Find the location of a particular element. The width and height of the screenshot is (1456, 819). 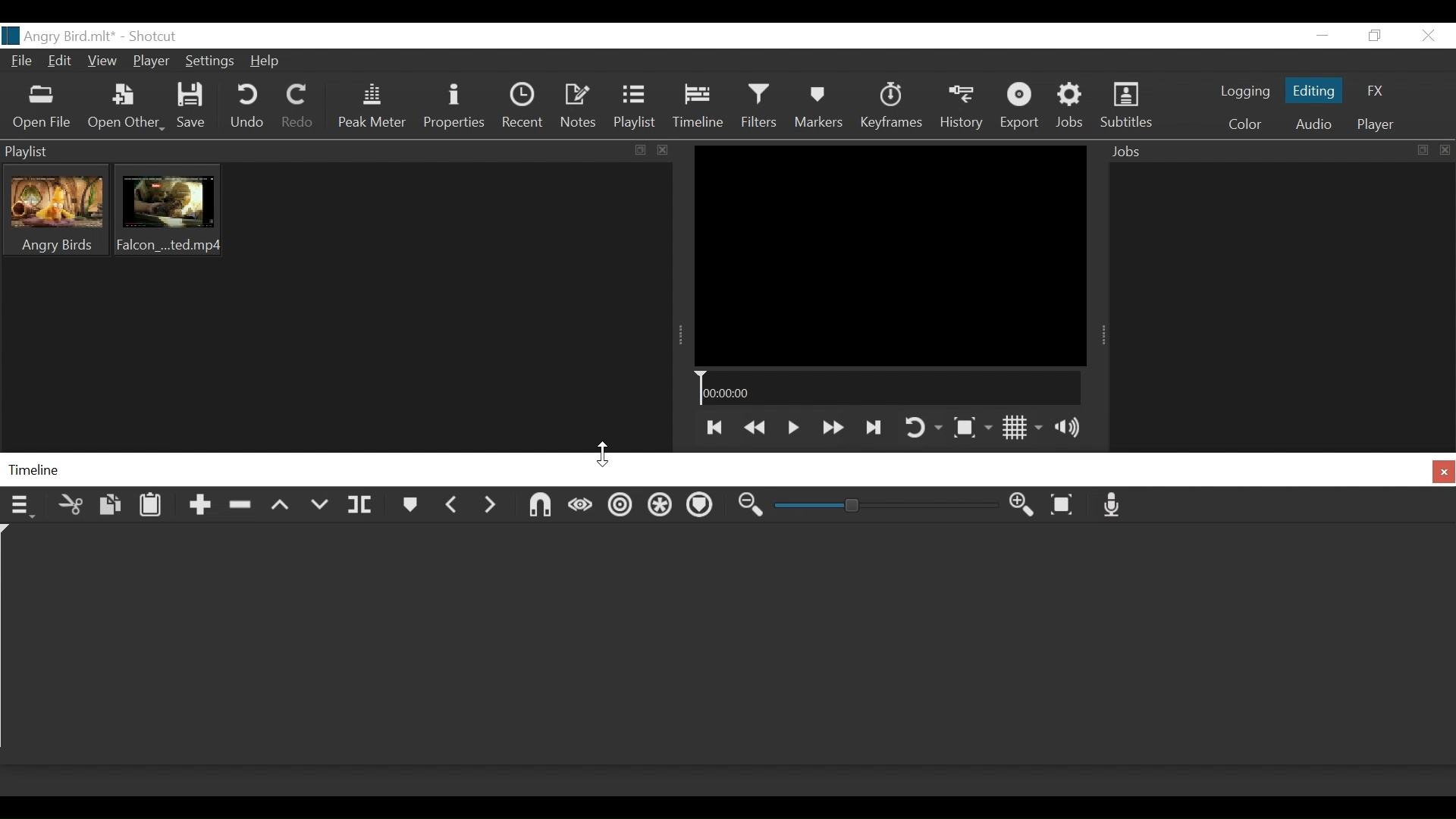

Zoom timeline in is located at coordinates (752, 508).